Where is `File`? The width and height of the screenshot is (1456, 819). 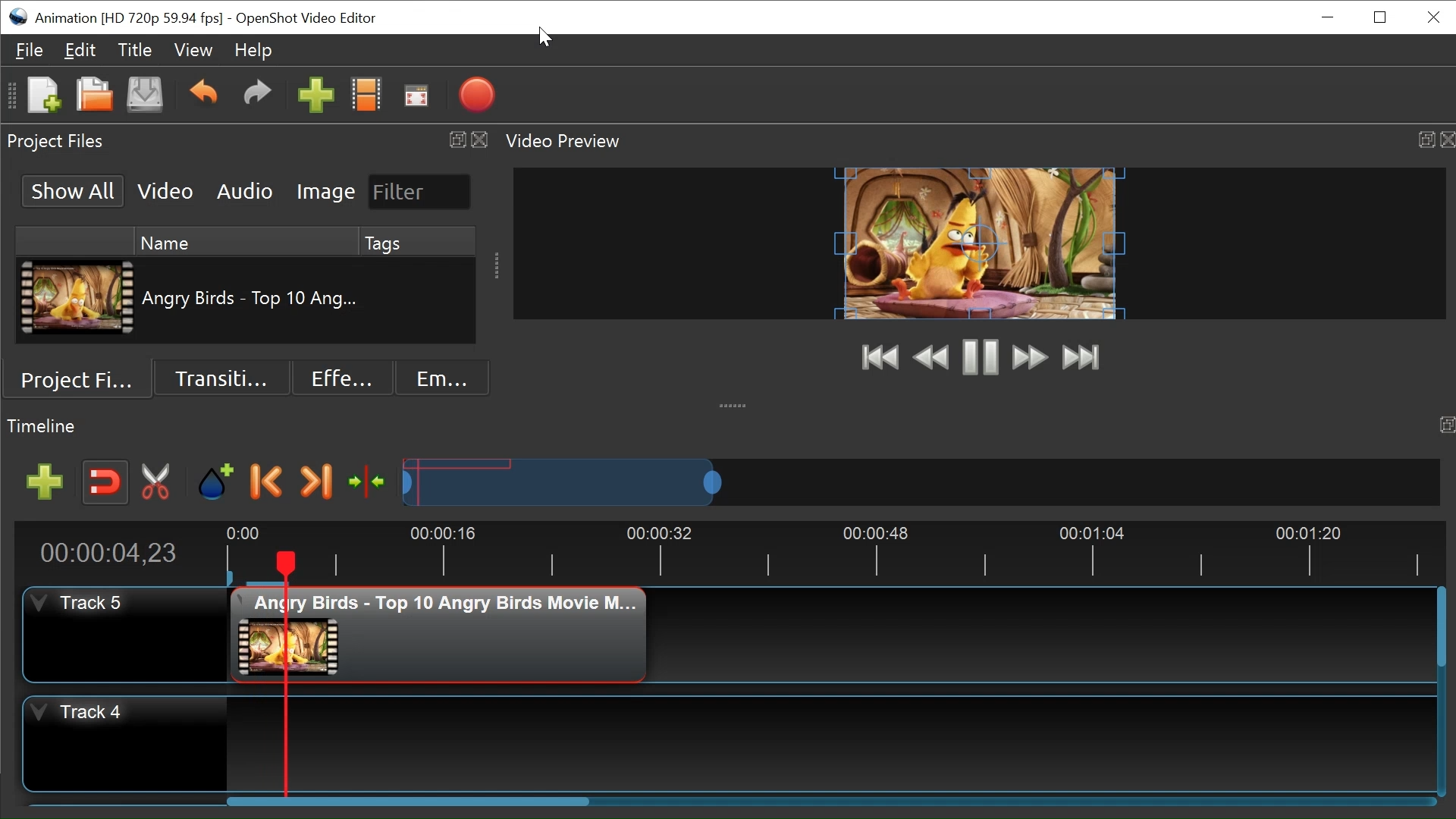 File is located at coordinates (30, 50).